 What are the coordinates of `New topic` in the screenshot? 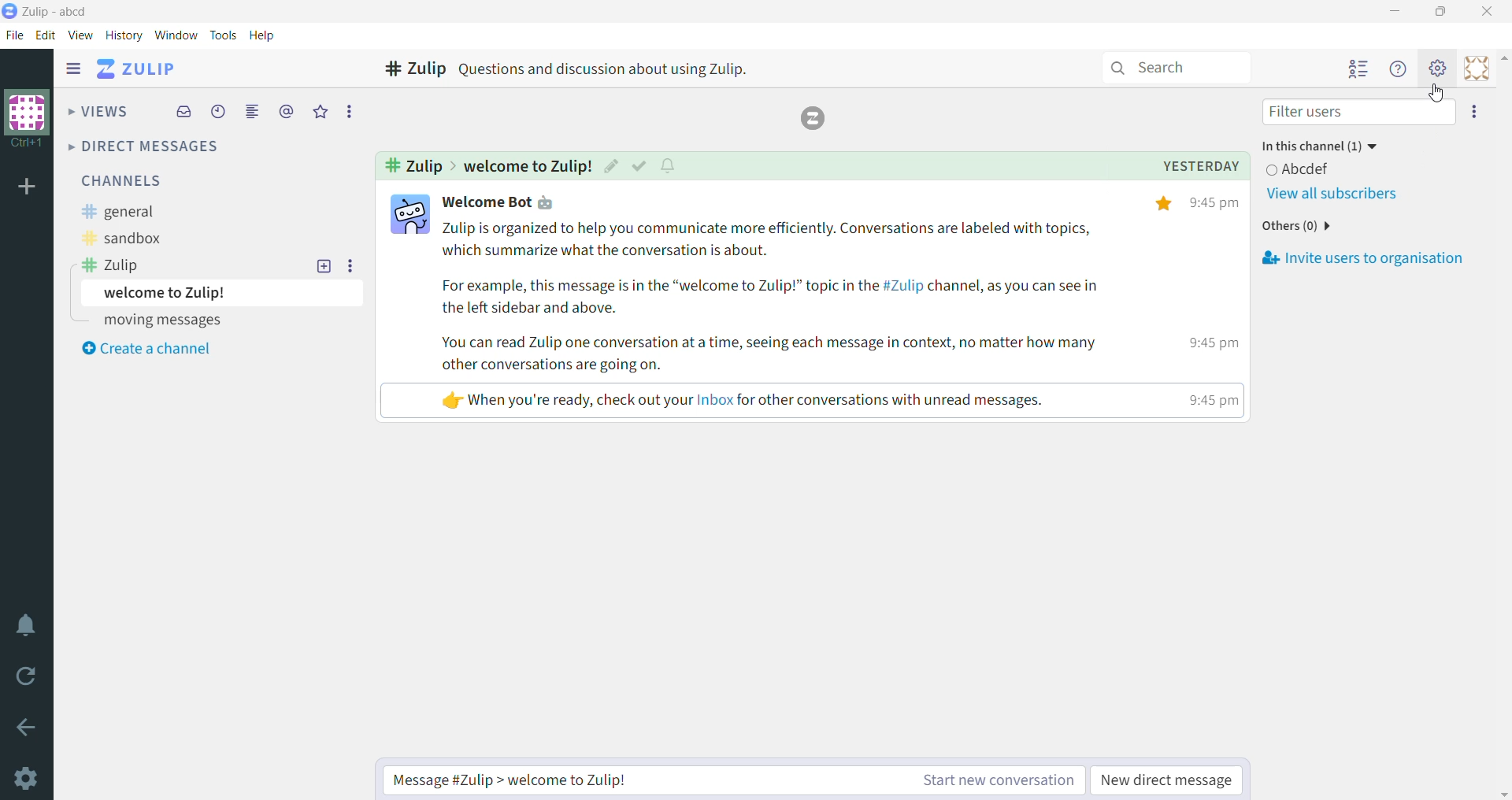 It's located at (324, 265).